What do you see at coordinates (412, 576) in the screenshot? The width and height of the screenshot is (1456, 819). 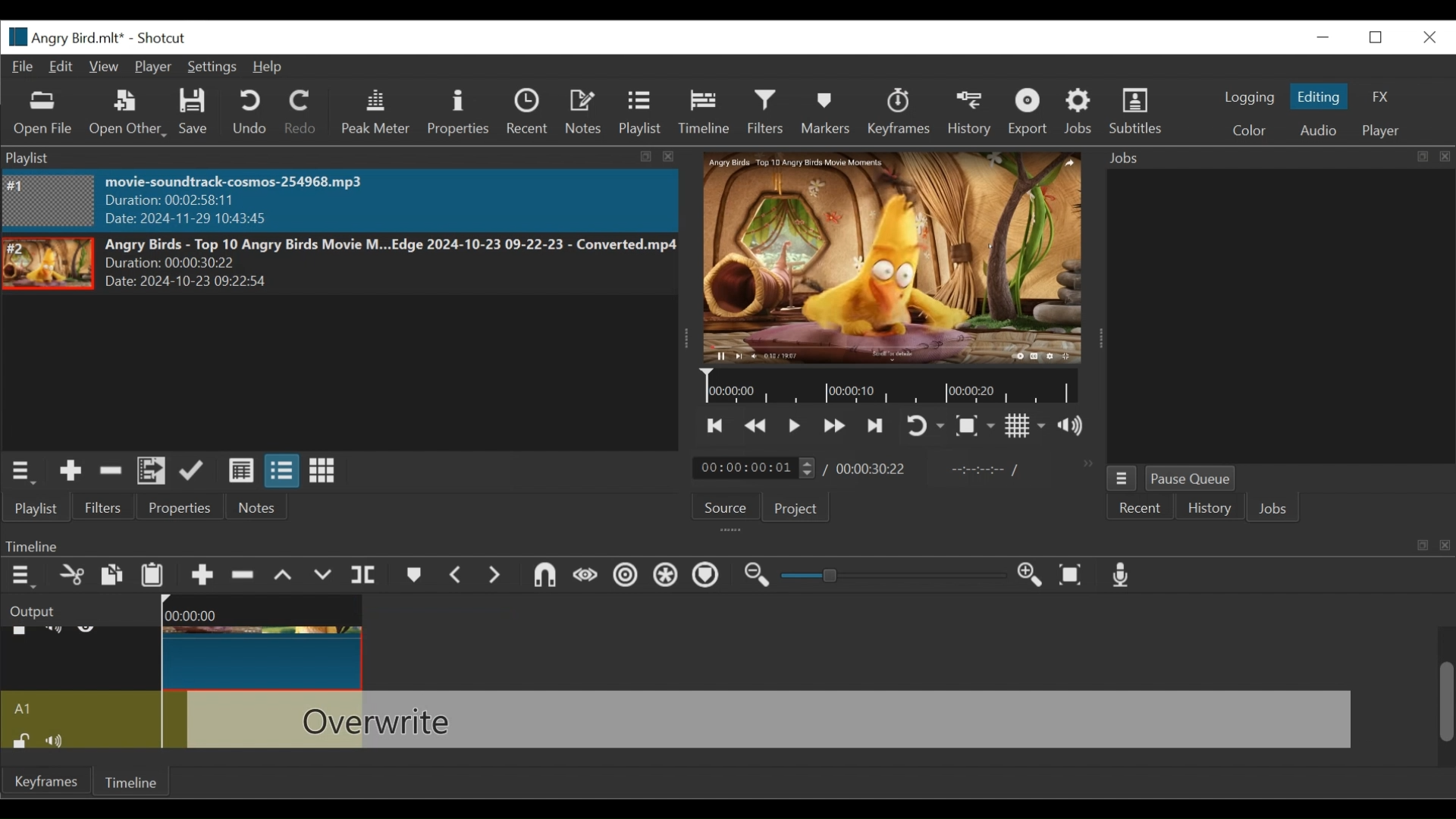 I see `Markers` at bounding box center [412, 576].